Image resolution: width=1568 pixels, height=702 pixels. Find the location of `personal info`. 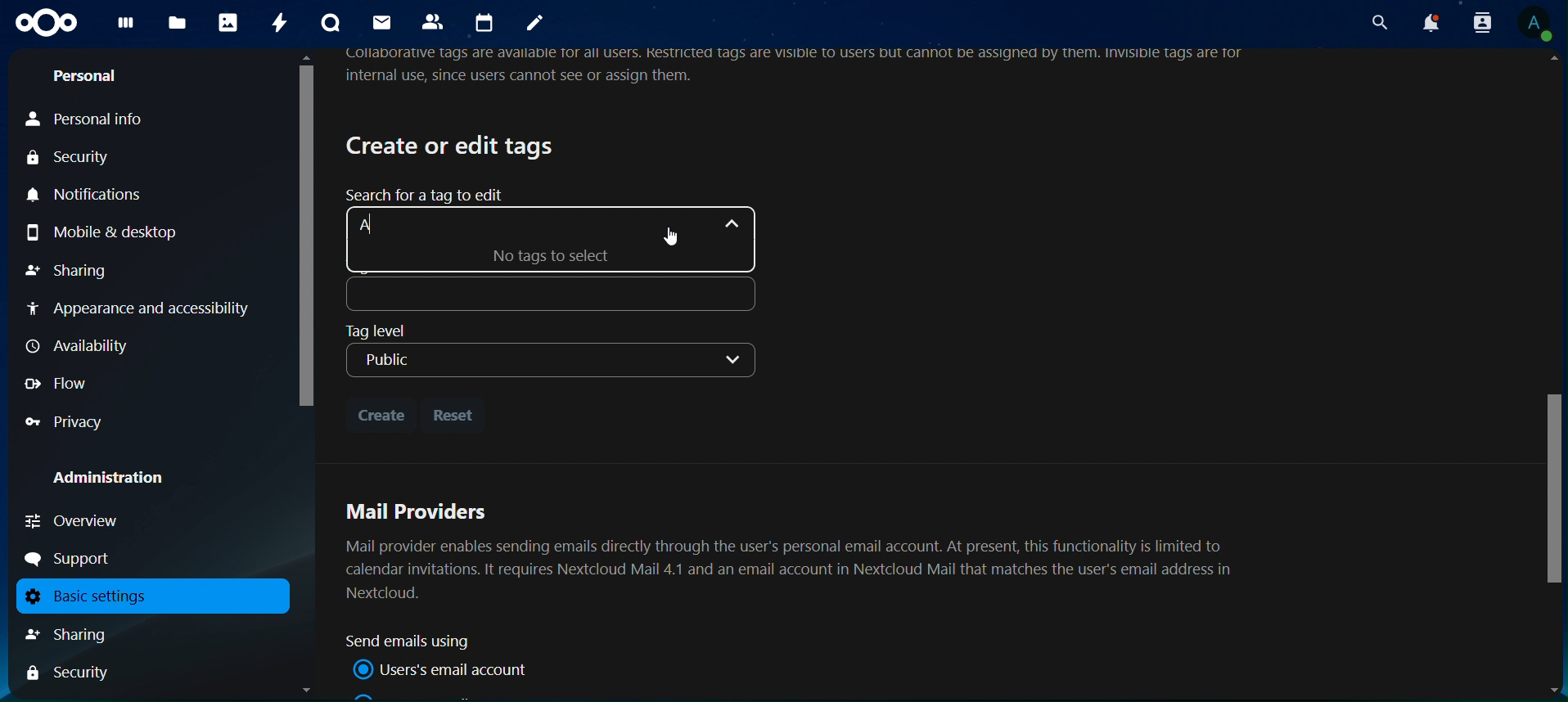

personal info is located at coordinates (107, 120).